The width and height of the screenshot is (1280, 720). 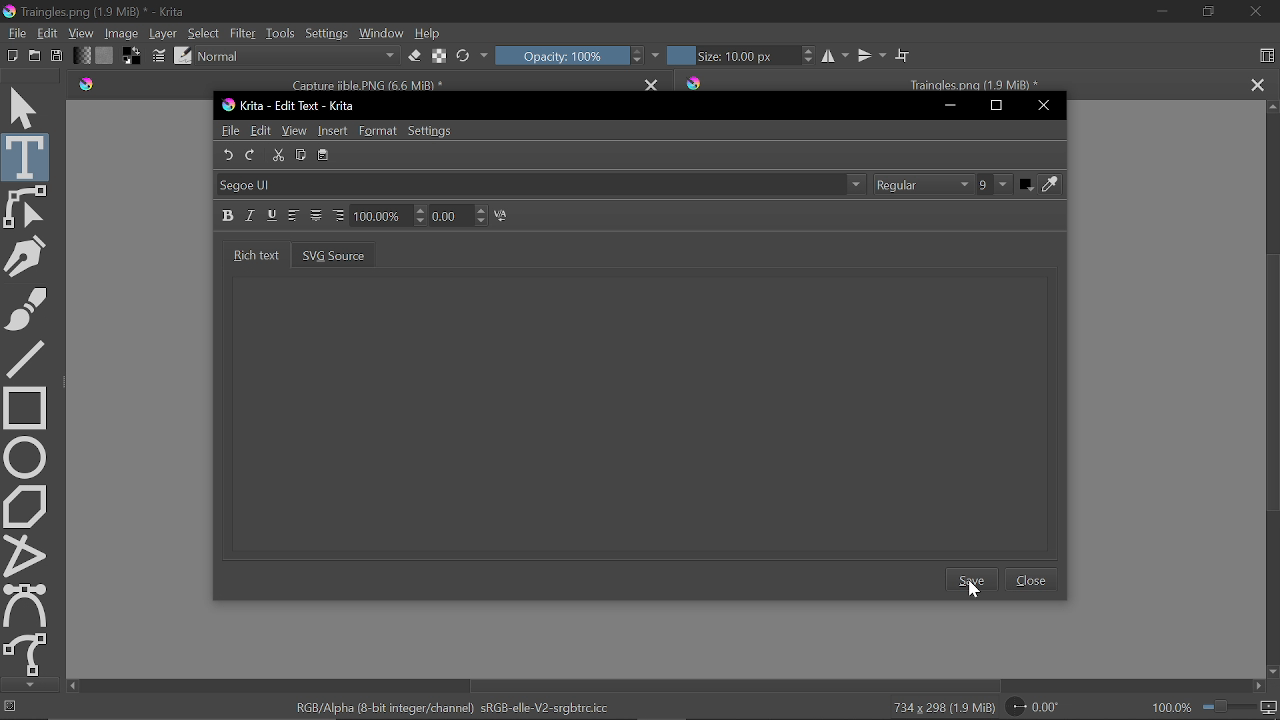 I want to click on Redo, so click(x=250, y=157).